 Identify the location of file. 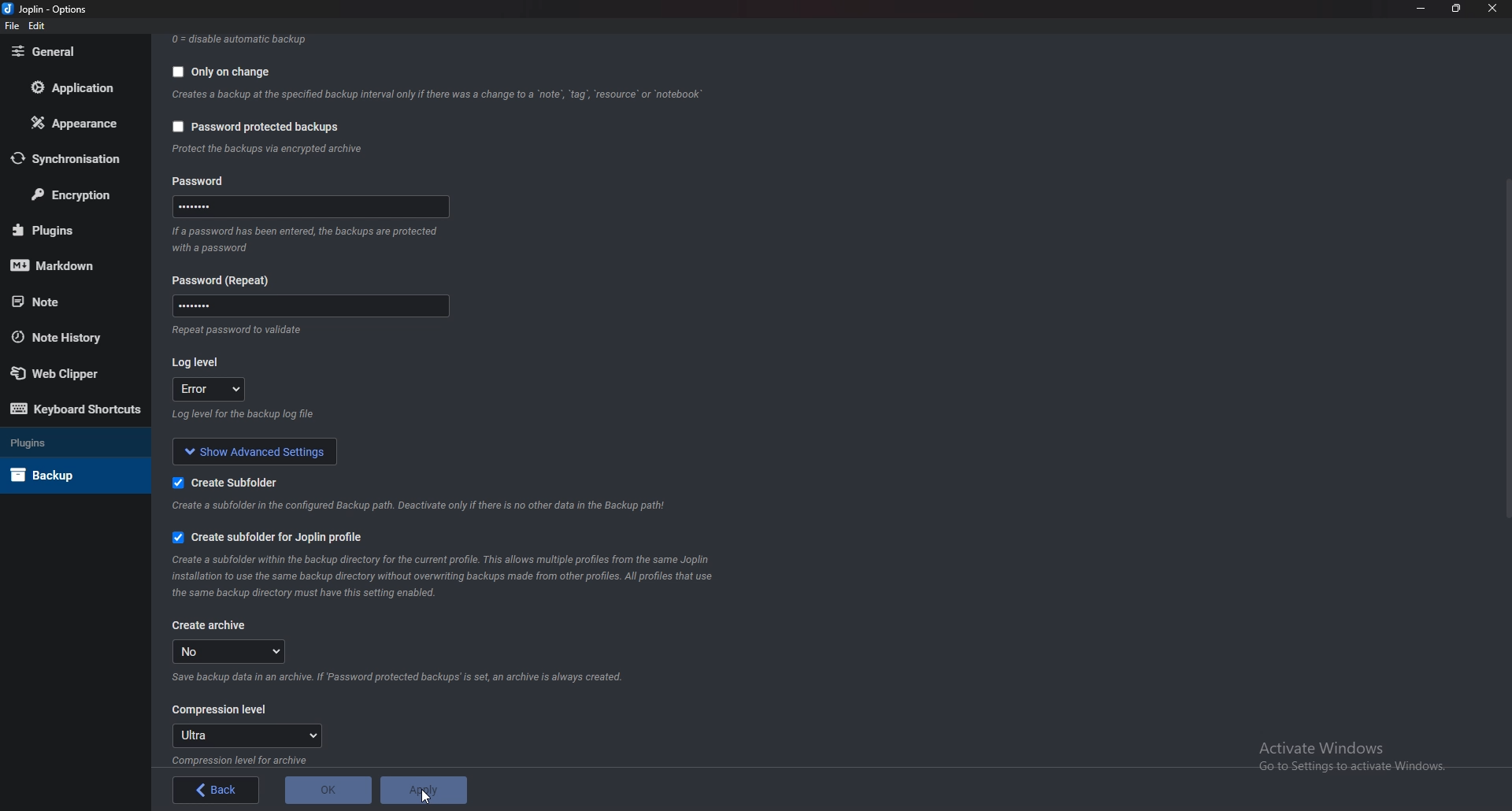
(13, 26).